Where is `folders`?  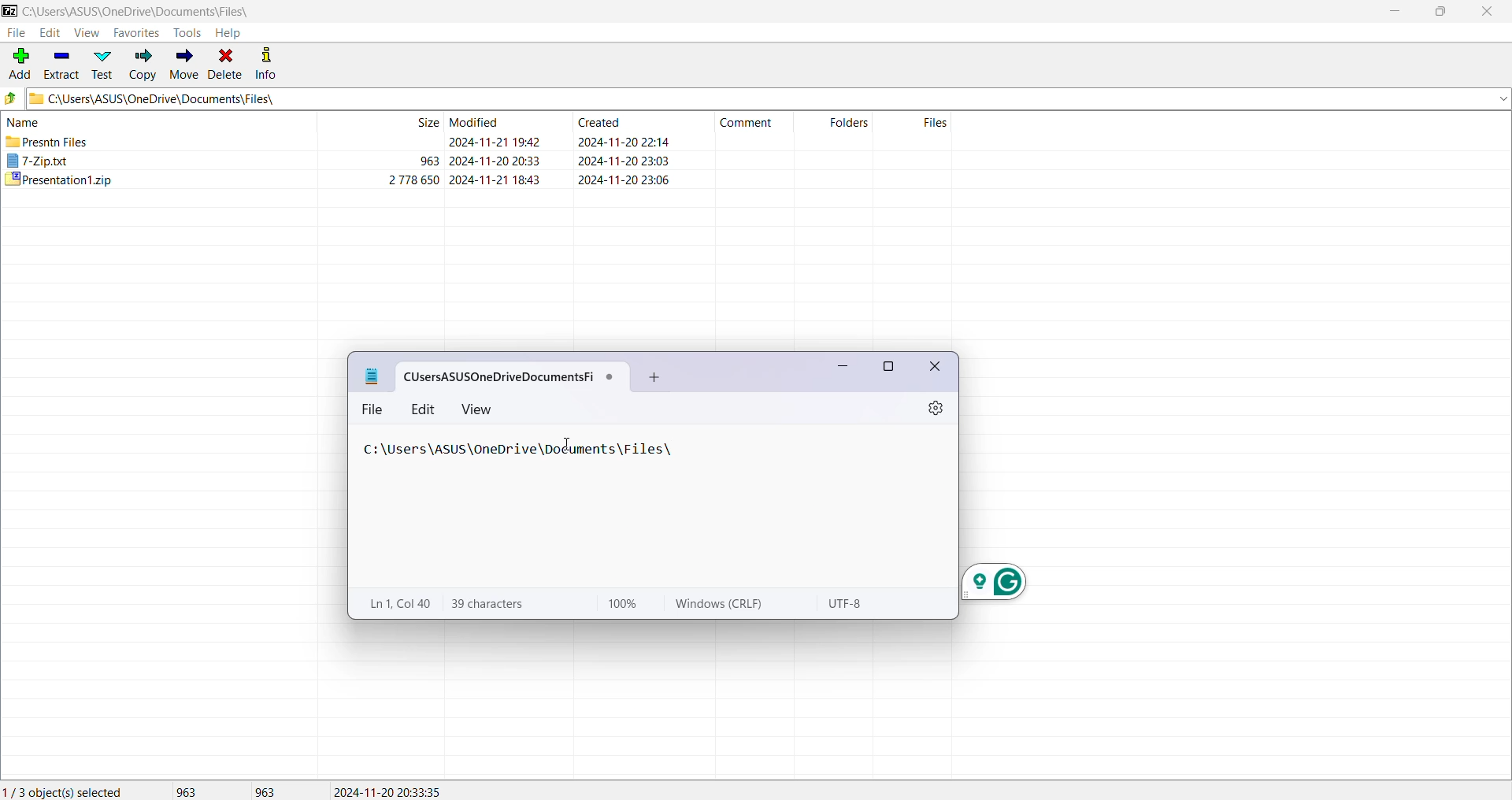 folders is located at coordinates (850, 122).